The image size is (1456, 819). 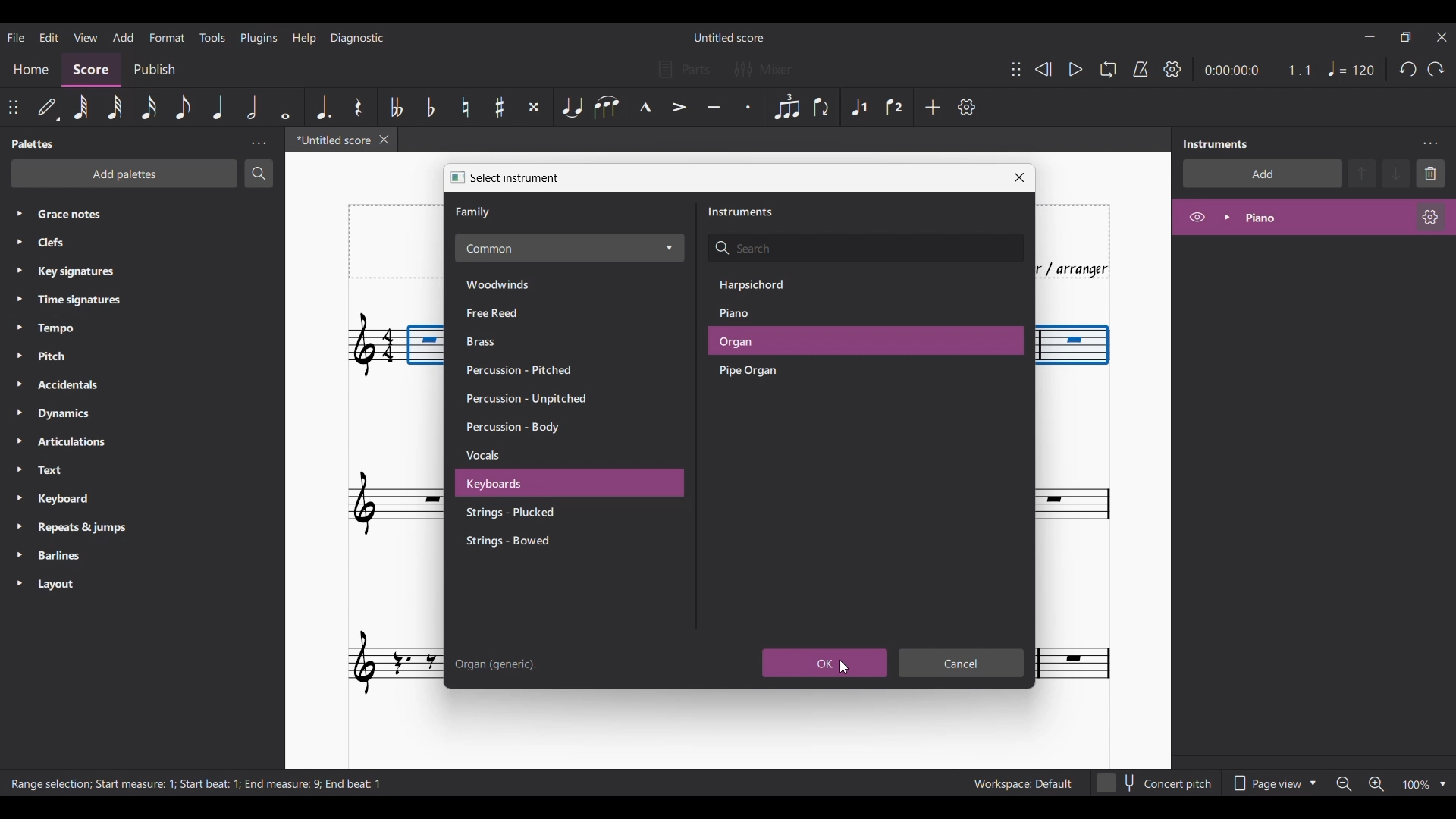 I want to click on Playback settings, so click(x=1172, y=68).